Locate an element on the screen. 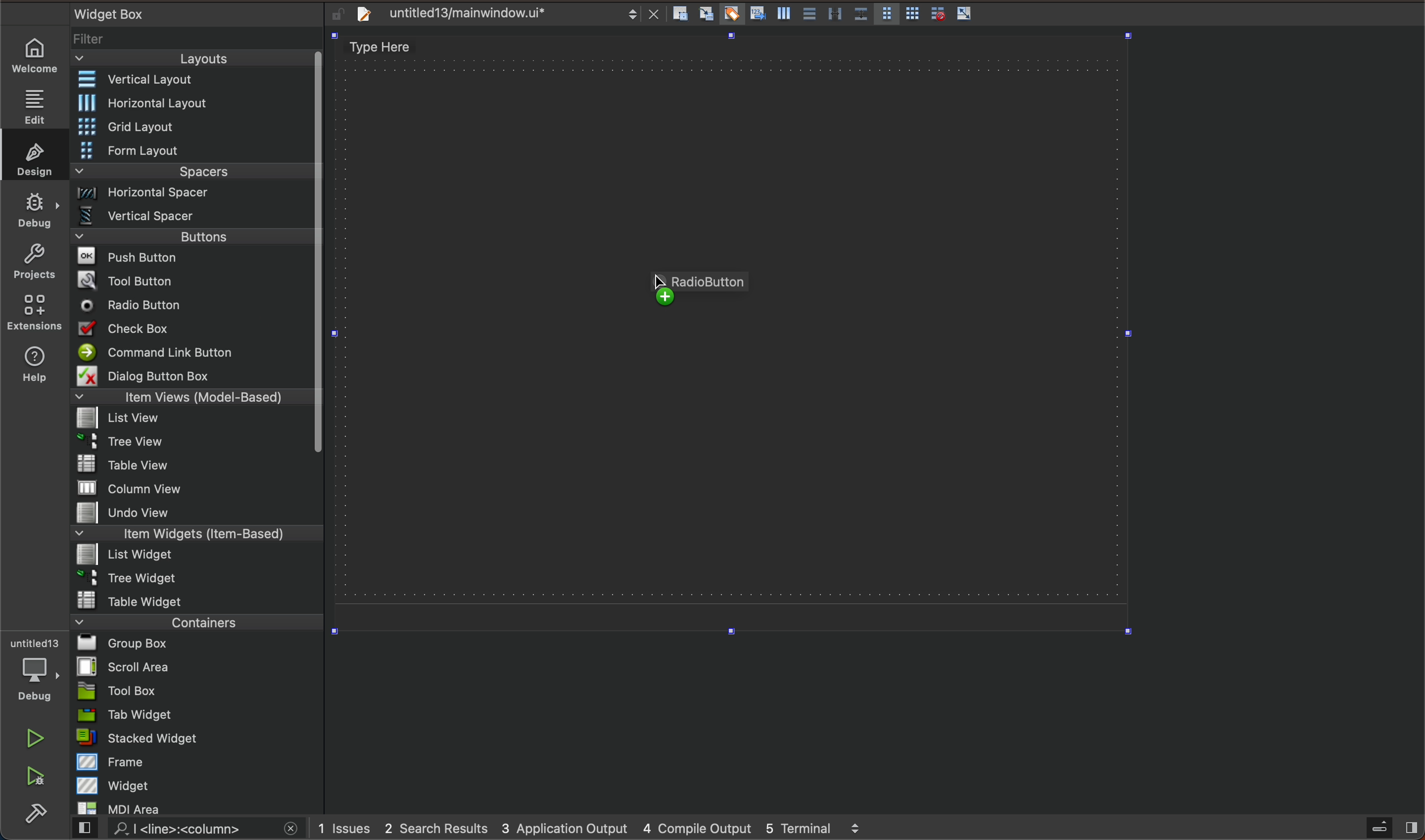  projects is located at coordinates (34, 264).